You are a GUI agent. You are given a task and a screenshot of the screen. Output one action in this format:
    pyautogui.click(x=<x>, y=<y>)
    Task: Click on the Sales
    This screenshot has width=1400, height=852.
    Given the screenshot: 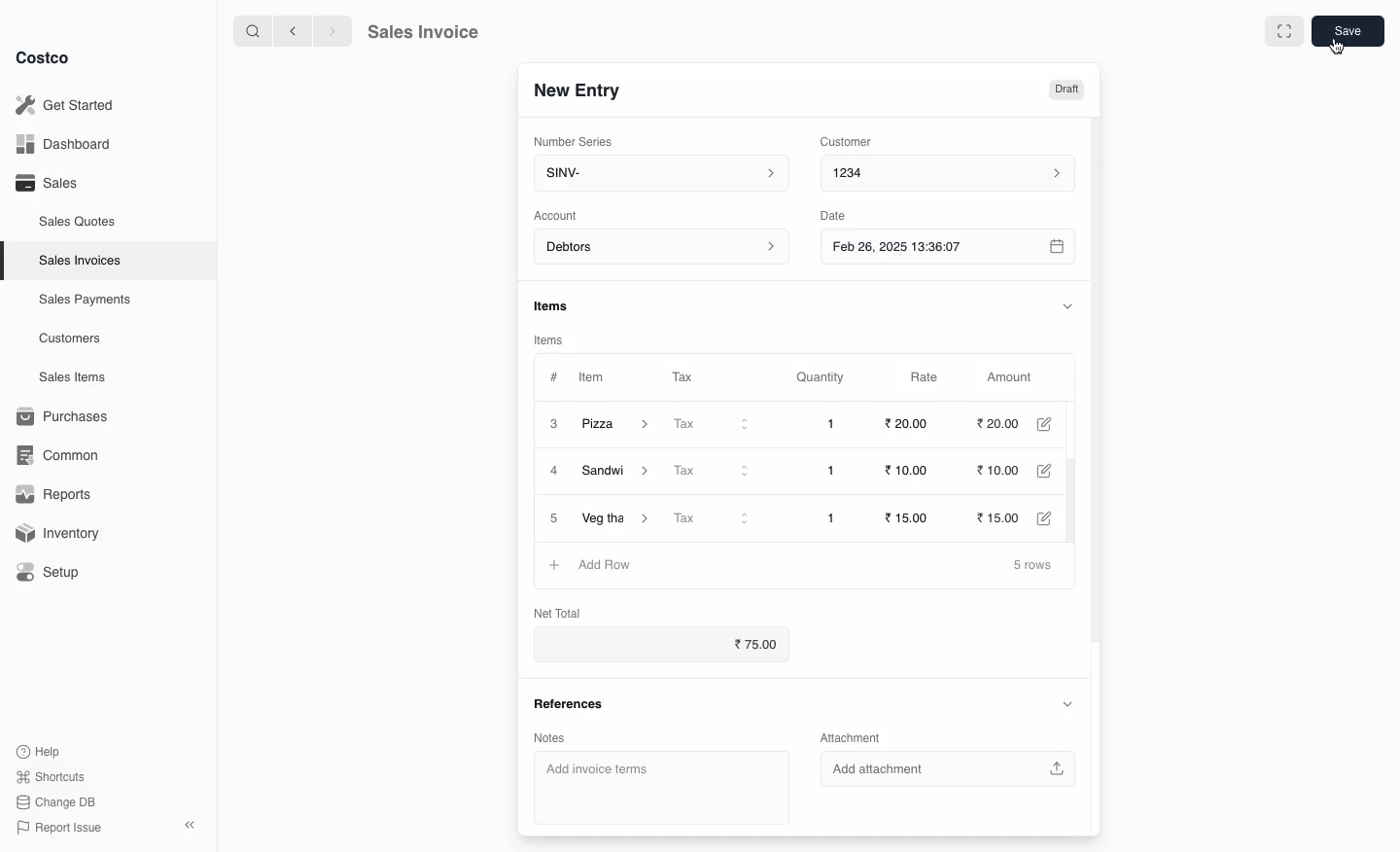 What is the action you would take?
    pyautogui.click(x=46, y=183)
    